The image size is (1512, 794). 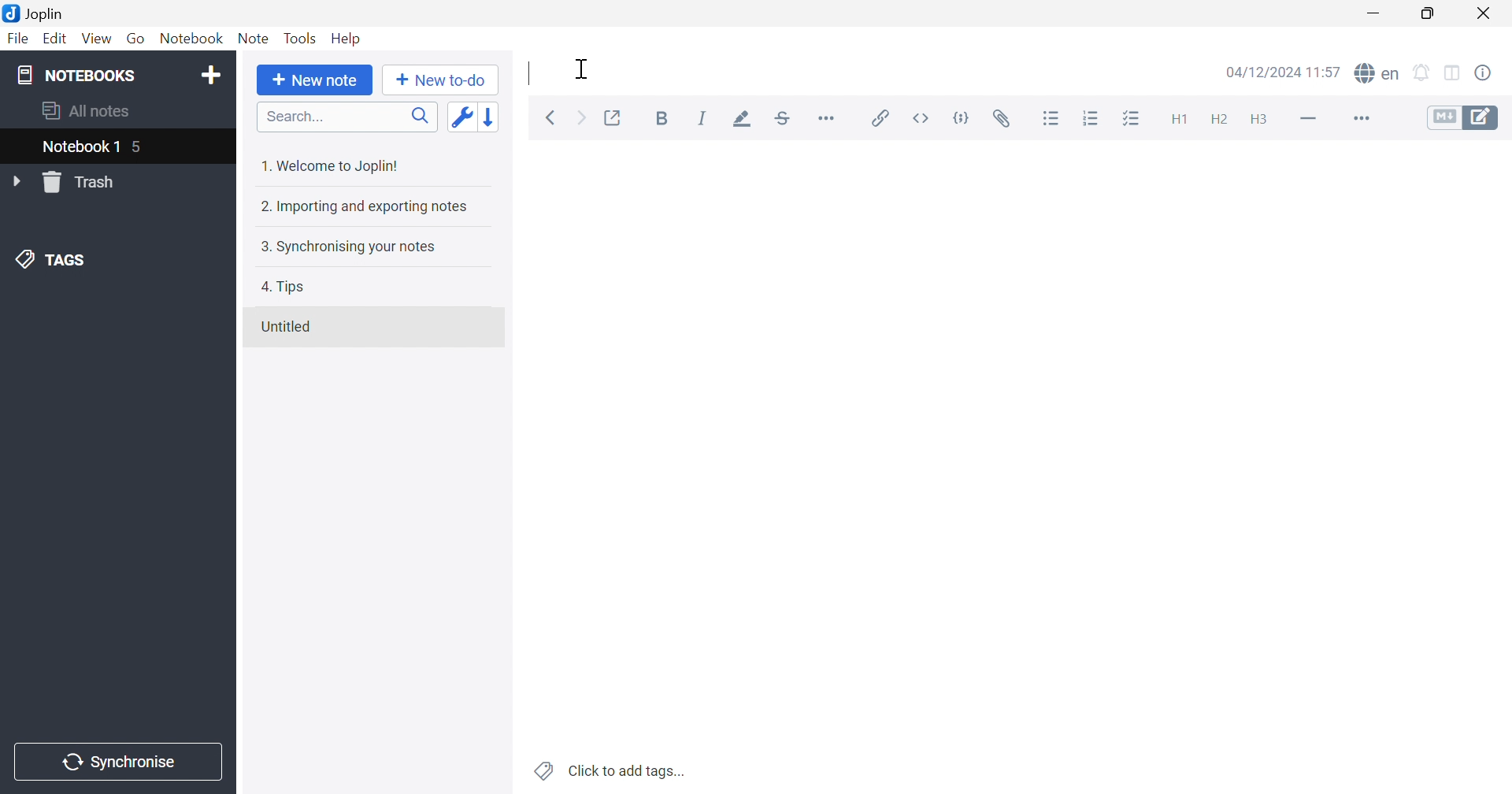 What do you see at coordinates (1429, 14) in the screenshot?
I see `Restore Down` at bounding box center [1429, 14].